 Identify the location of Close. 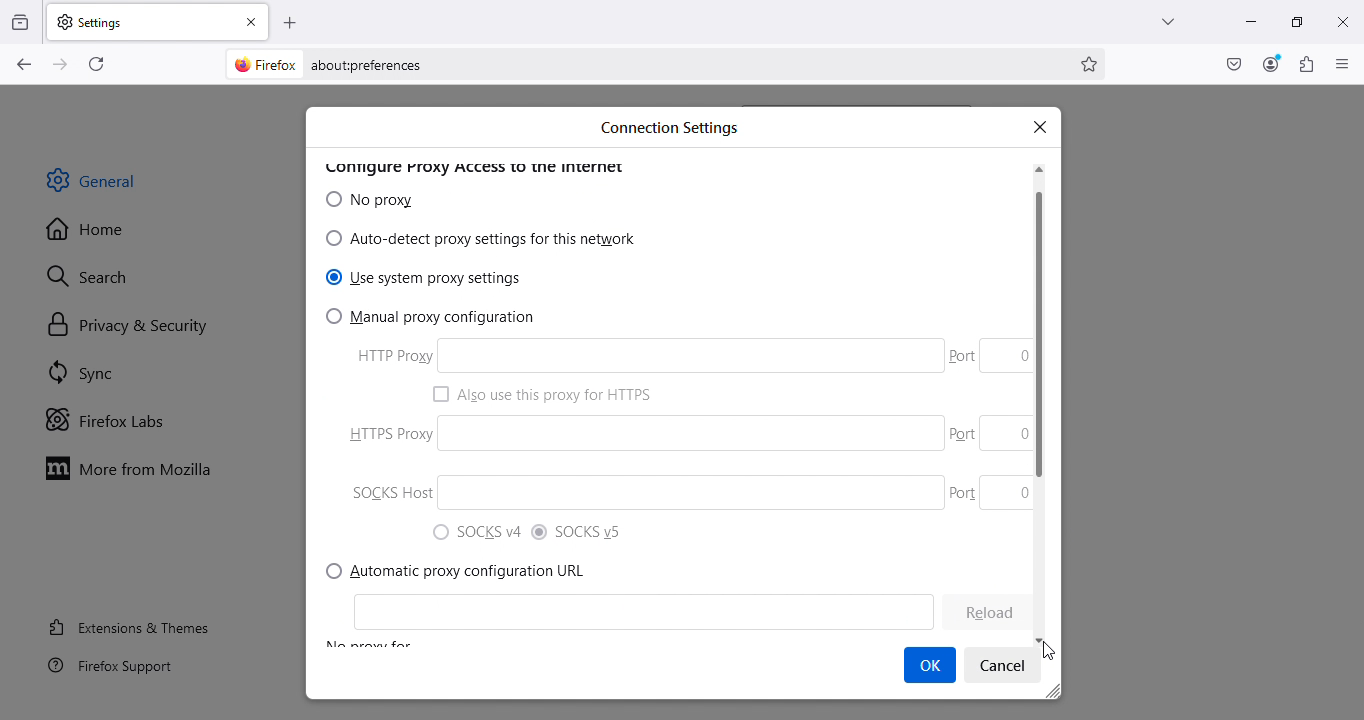
(1342, 21).